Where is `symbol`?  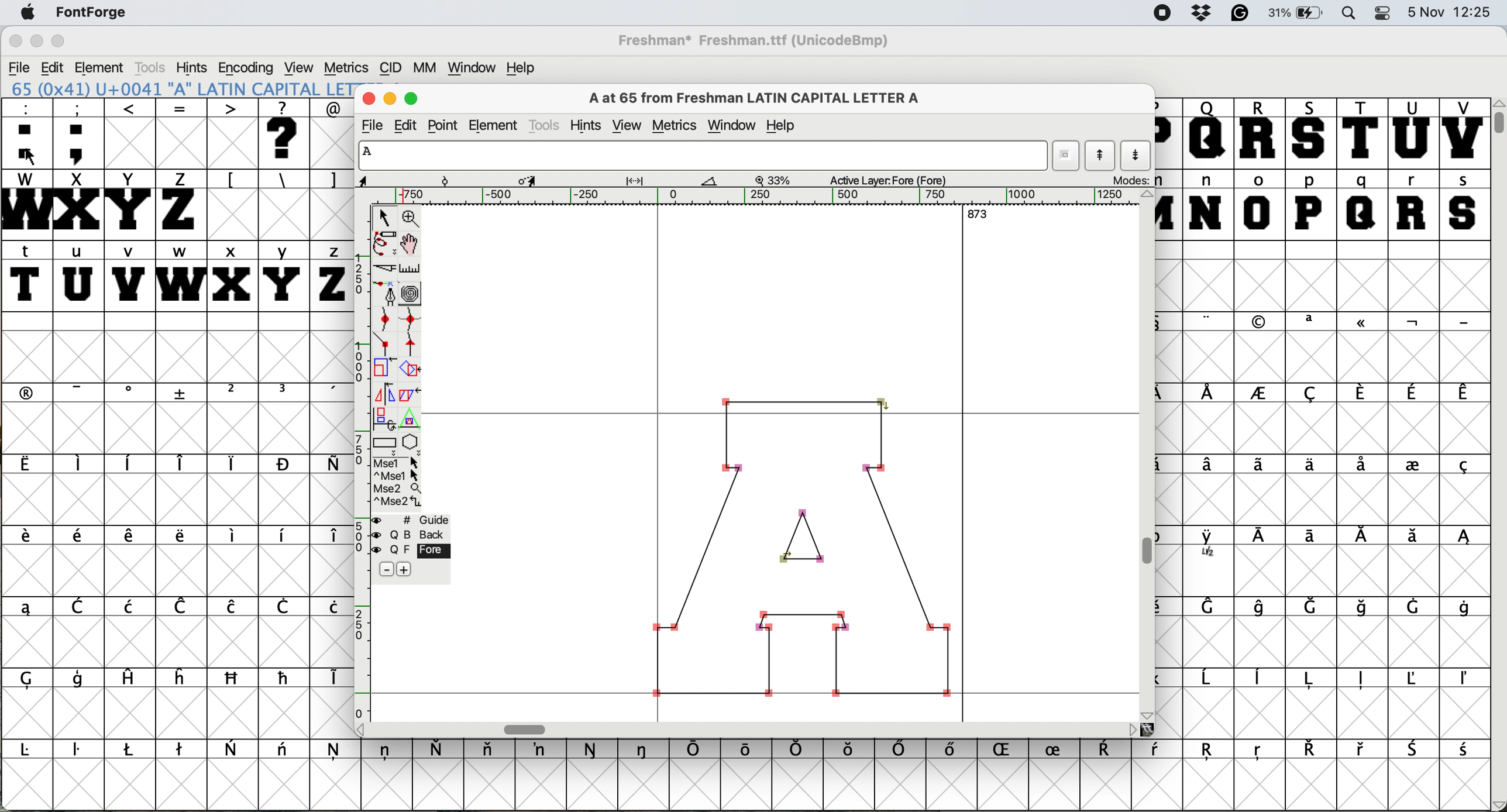 symbol is located at coordinates (491, 752).